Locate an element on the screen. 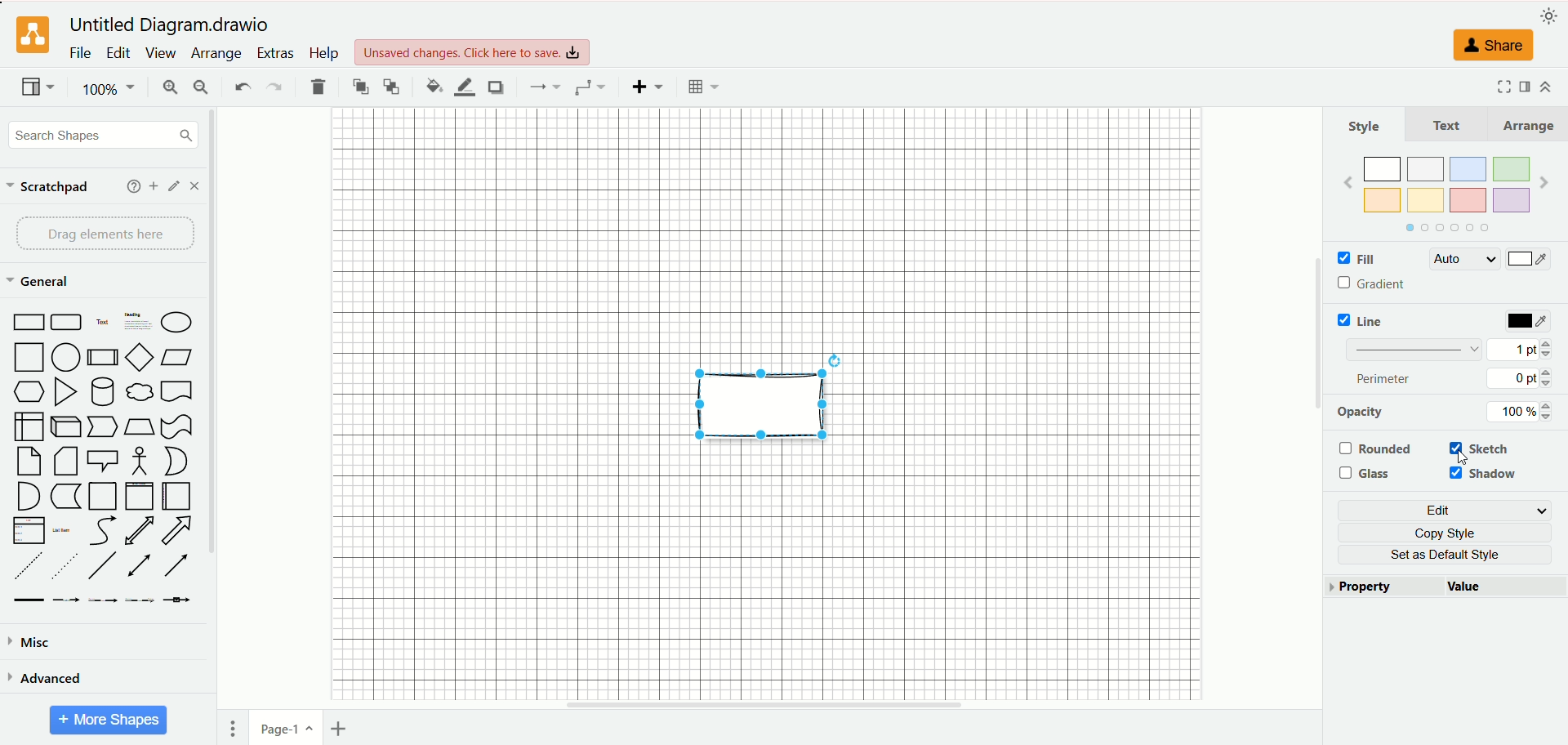 The height and width of the screenshot is (745, 1568). line color is located at coordinates (464, 87).